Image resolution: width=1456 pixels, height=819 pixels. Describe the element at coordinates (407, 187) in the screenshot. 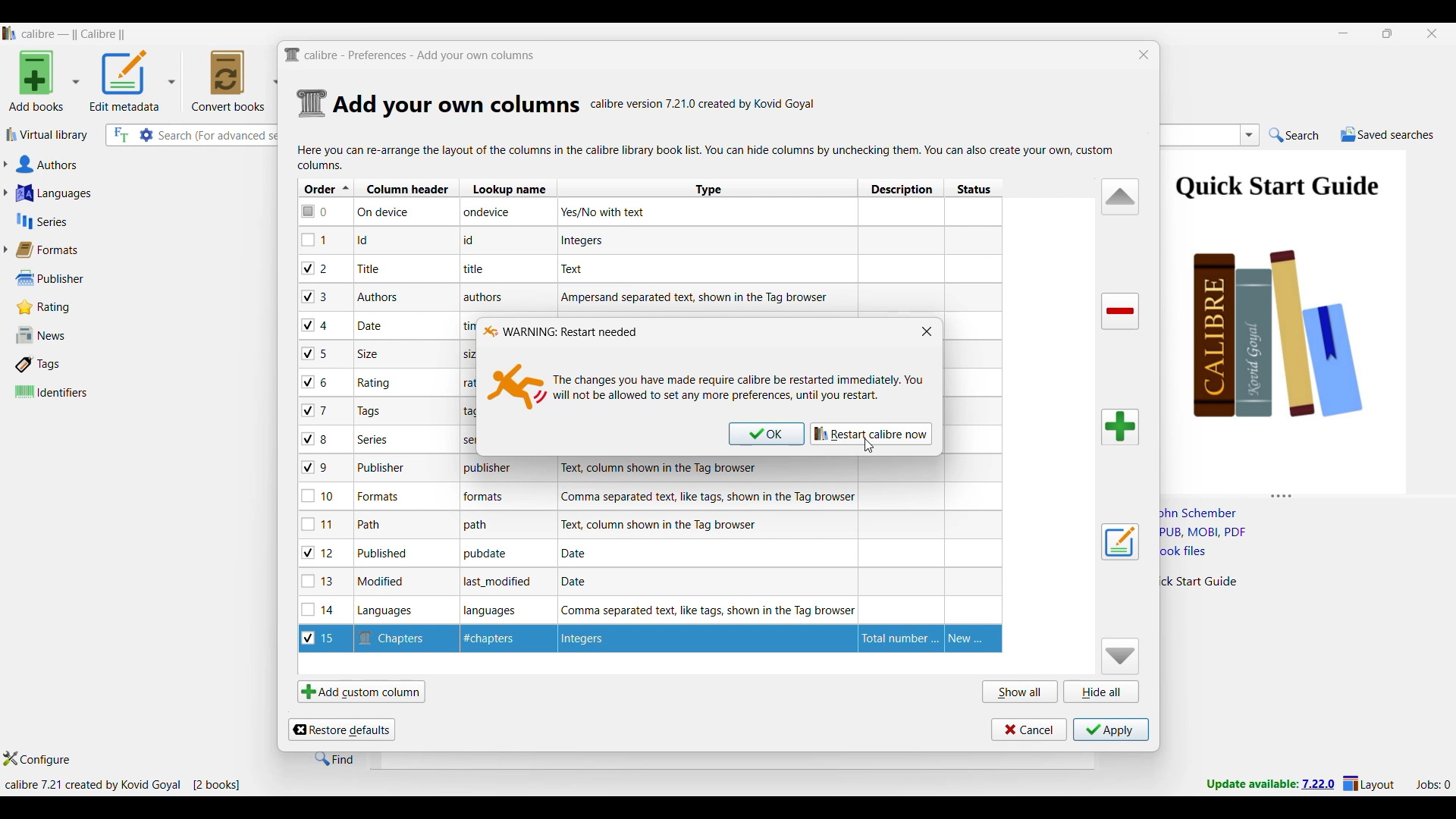

I see `Column header column` at that location.